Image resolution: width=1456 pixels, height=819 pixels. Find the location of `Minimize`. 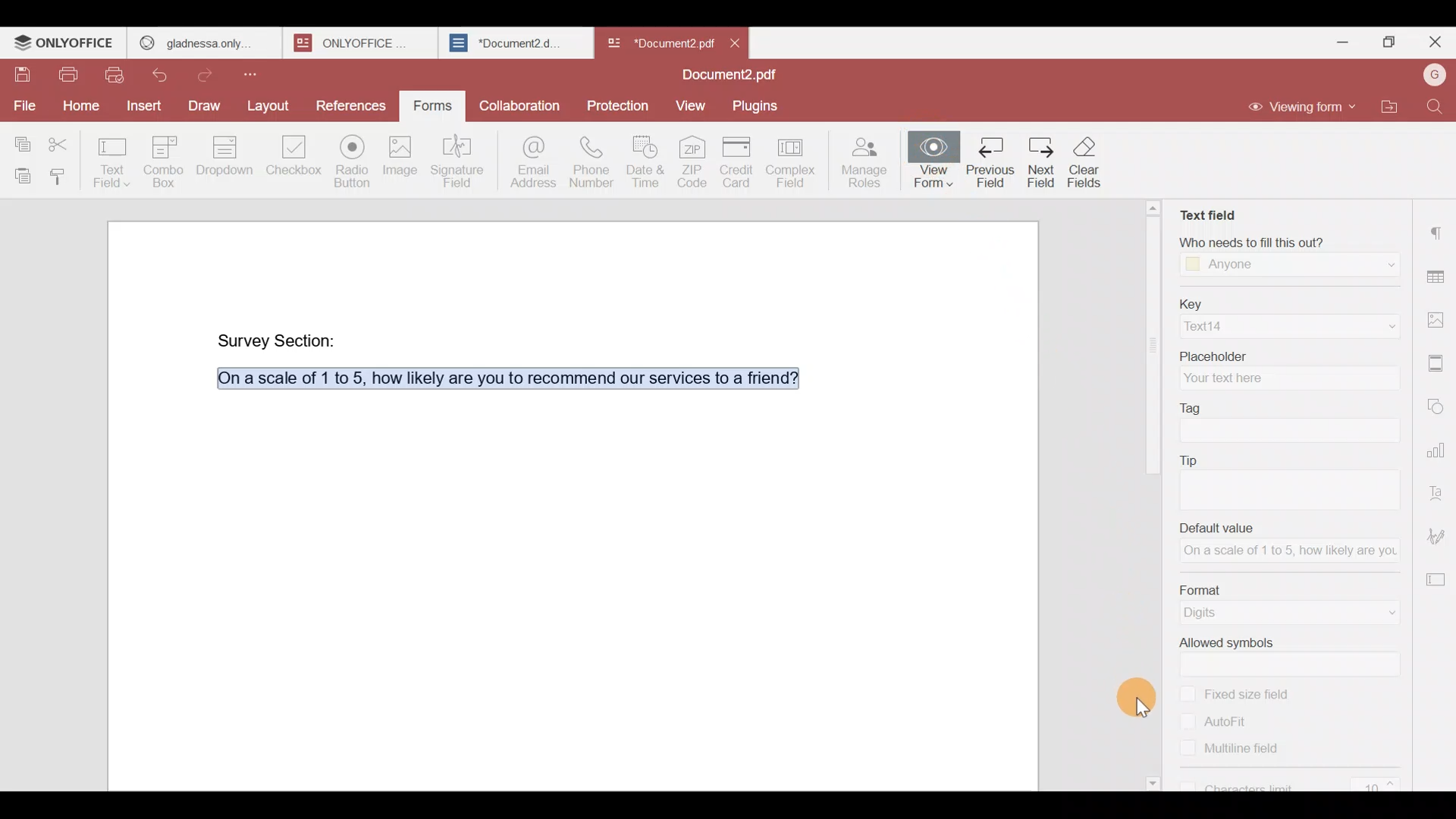

Minimize is located at coordinates (1348, 42).